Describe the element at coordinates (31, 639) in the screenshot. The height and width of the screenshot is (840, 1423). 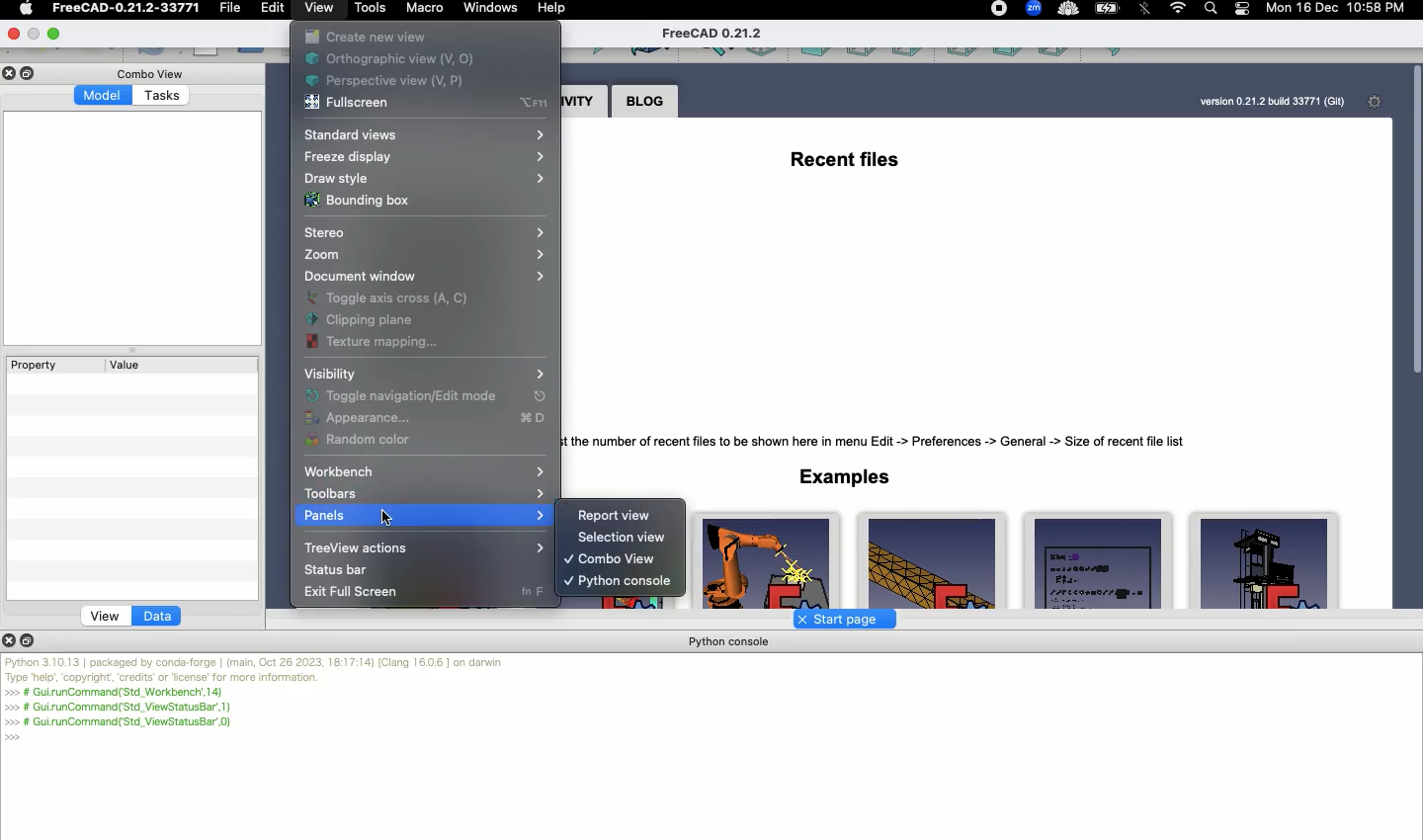
I see `Duplicate` at that location.